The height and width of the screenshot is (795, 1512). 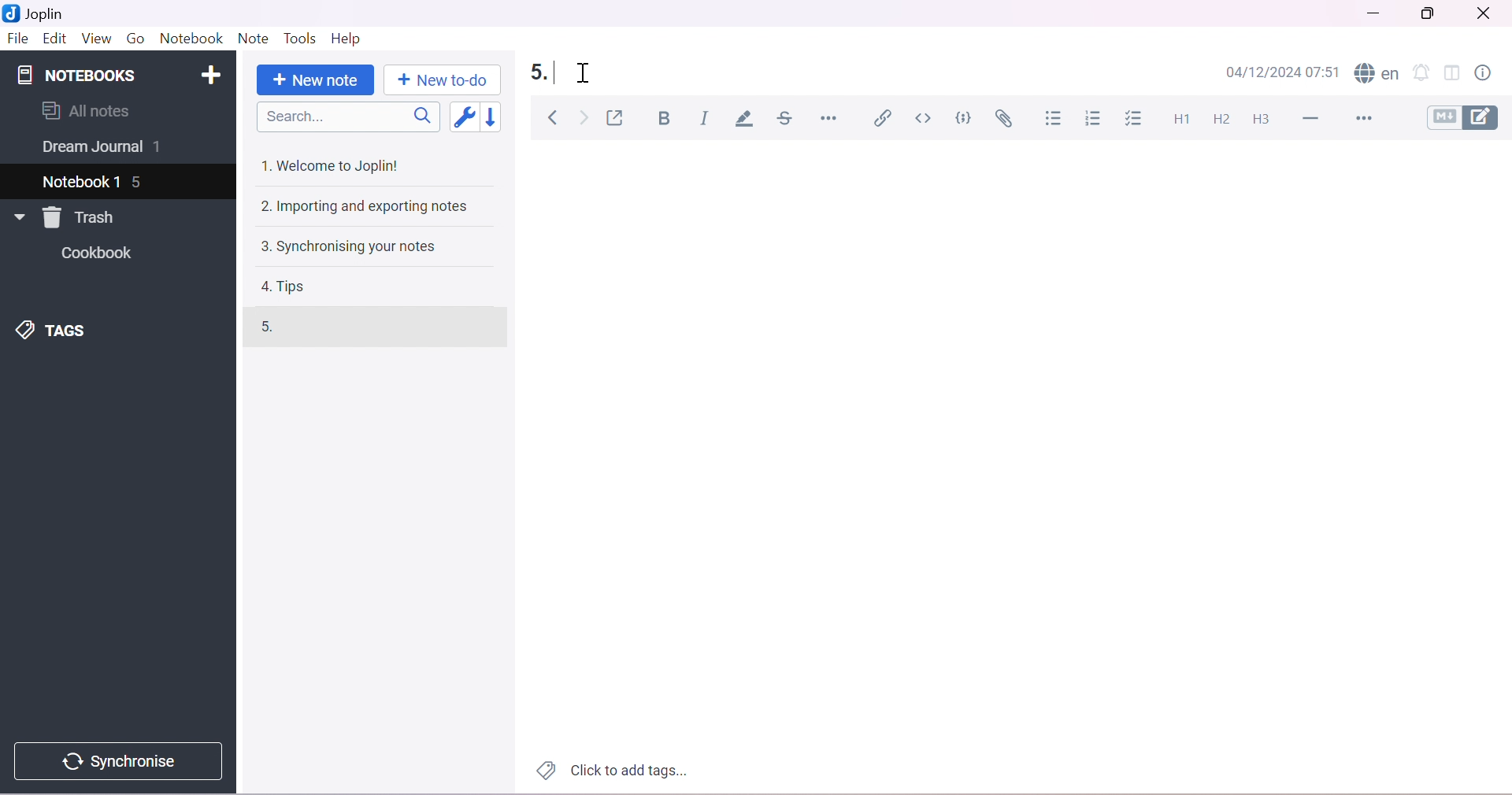 What do you see at coordinates (966, 117) in the screenshot?
I see `Code` at bounding box center [966, 117].